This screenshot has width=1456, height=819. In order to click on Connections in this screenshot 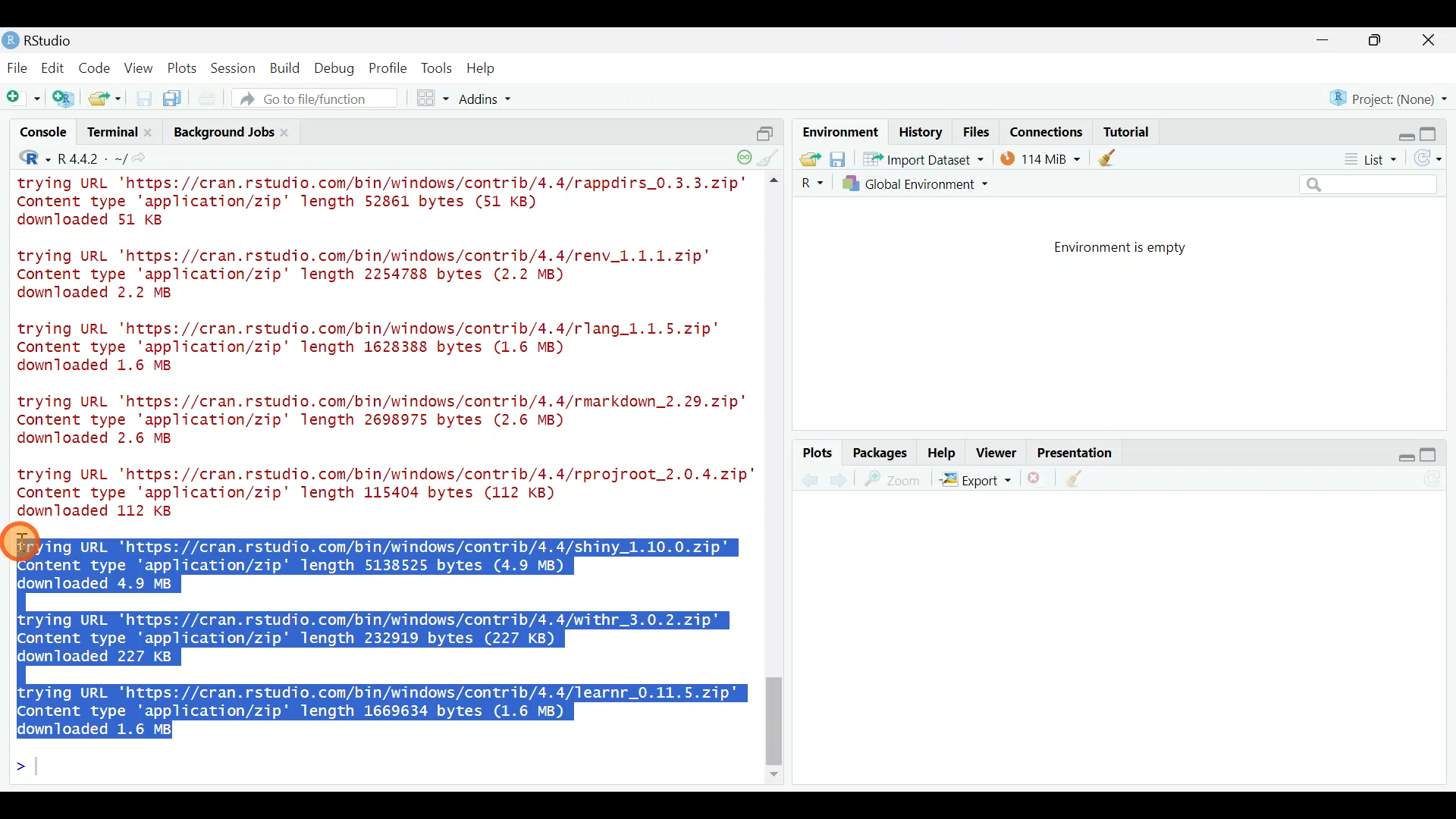, I will do `click(1047, 130)`.